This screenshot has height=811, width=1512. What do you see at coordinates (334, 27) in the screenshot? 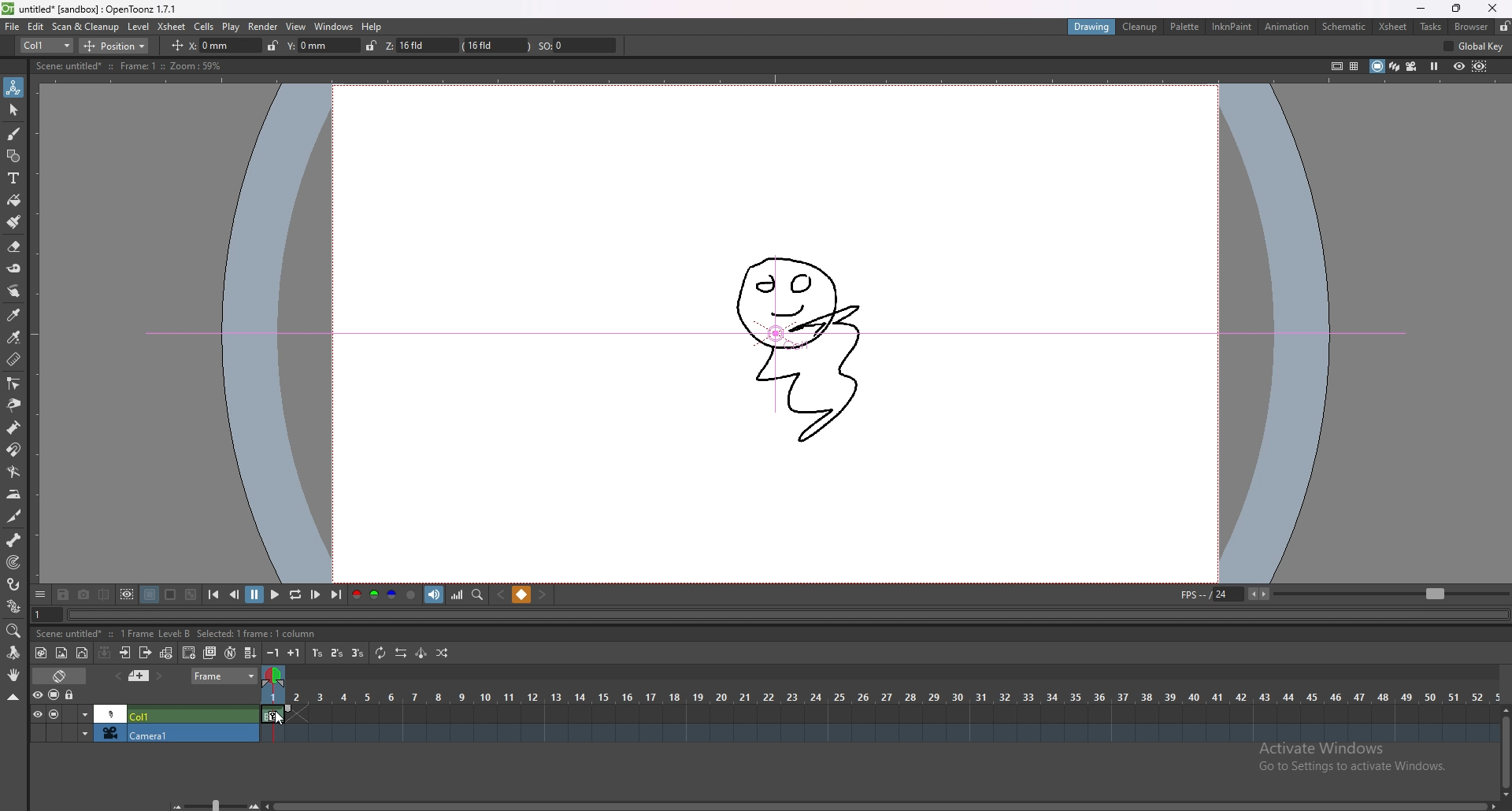
I see `windows` at bounding box center [334, 27].